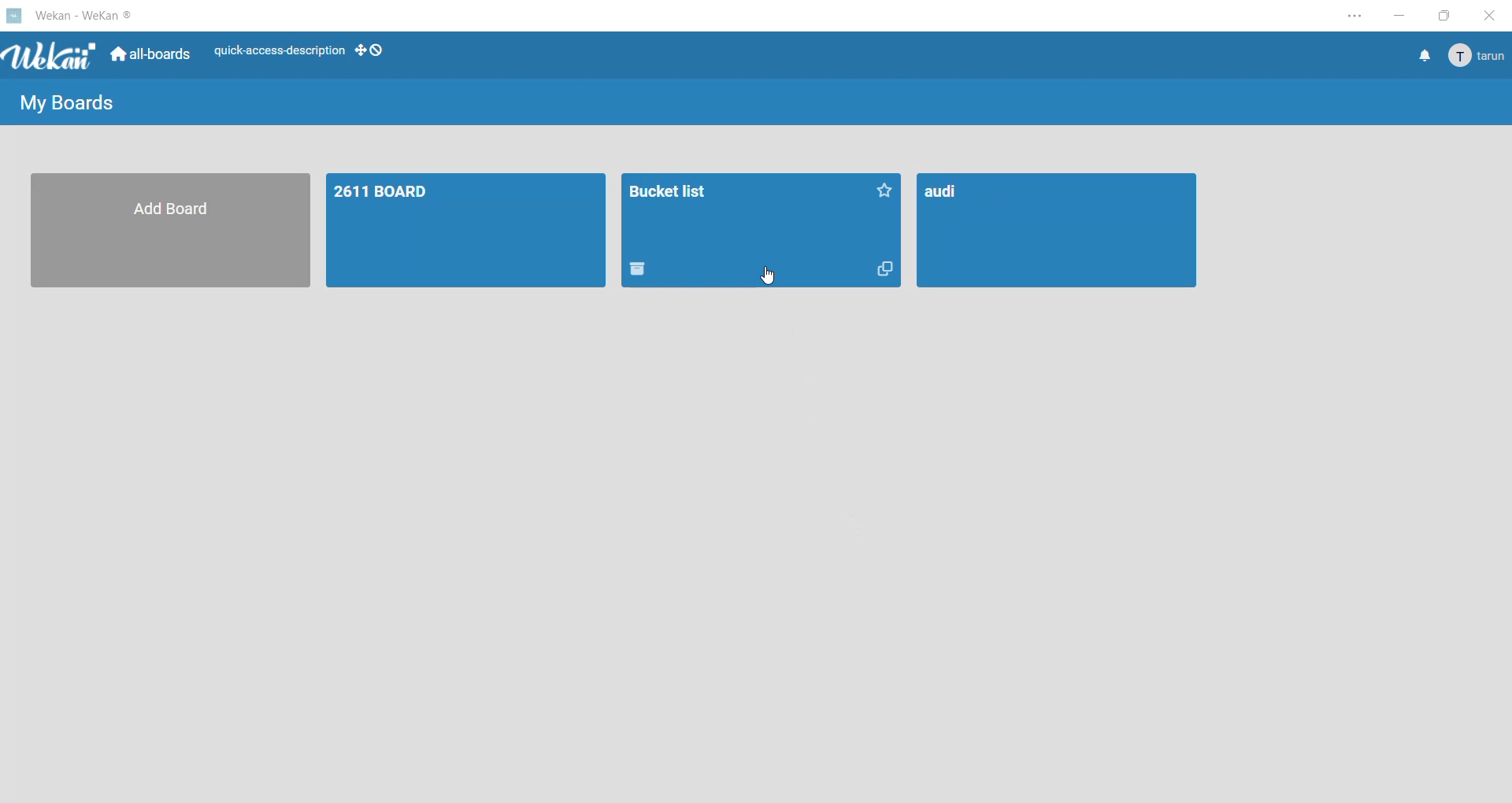 The width and height of the screenshot is (1512, 803). Describe the element at coordinates (468, 232) in the screenshot. I see `2611 BOARD` at that location.